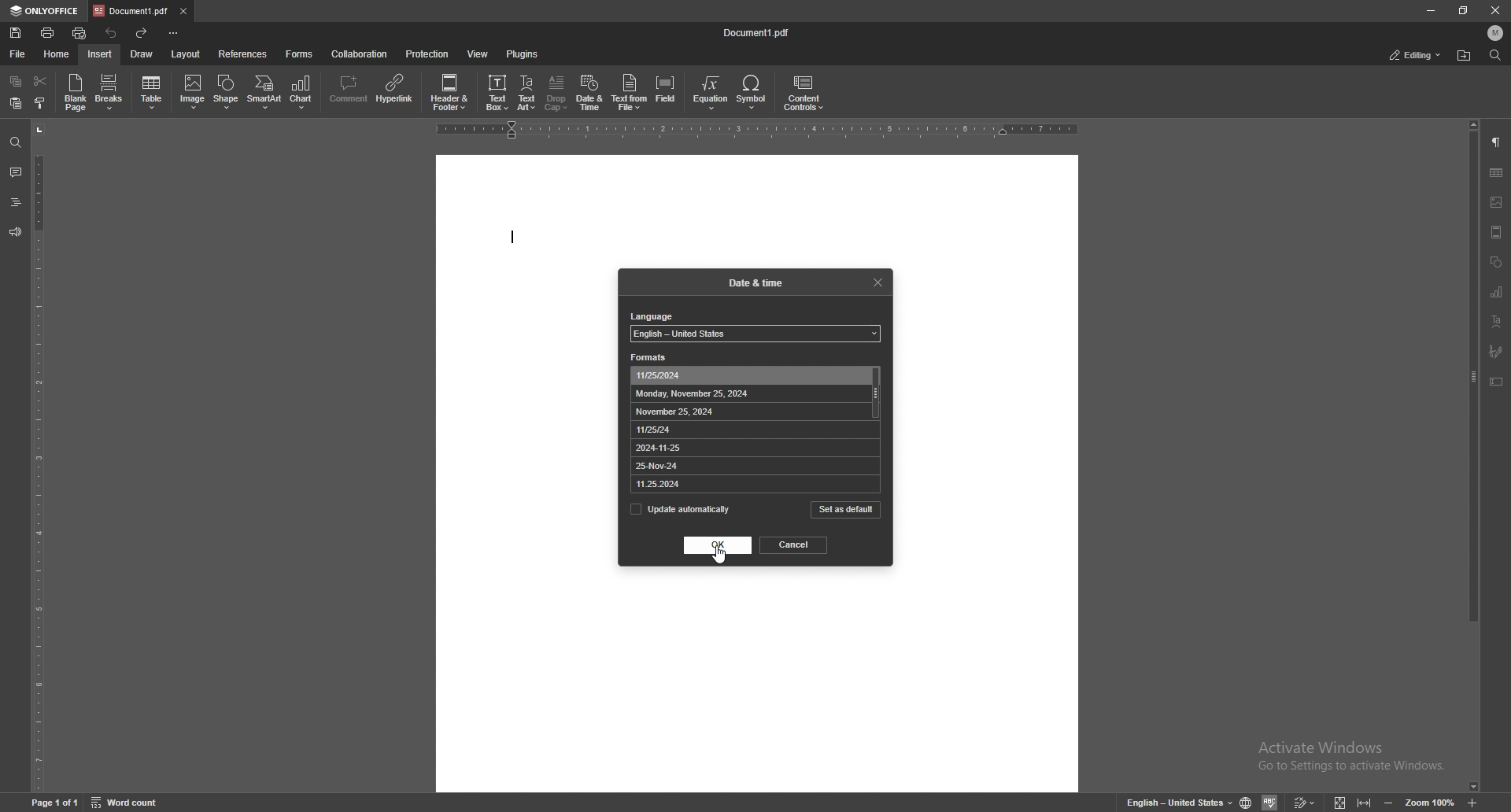  What do you see at coordinates (1497, 382) in the screenshot?
I see `text box` at bounding box center [1497, 382].